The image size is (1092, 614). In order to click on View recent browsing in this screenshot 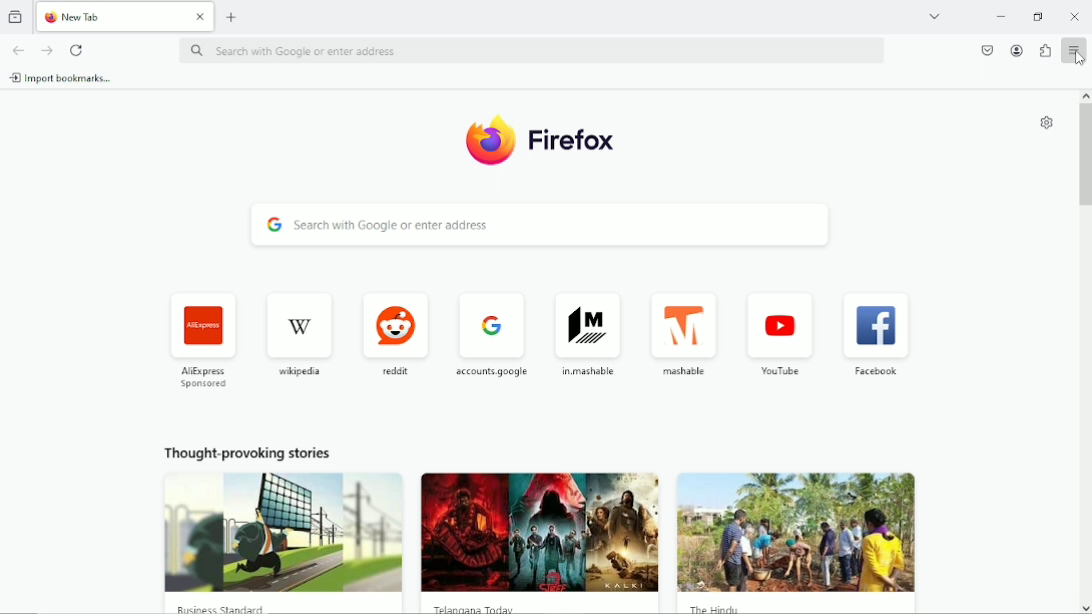, I will do `click(15, 17)`.